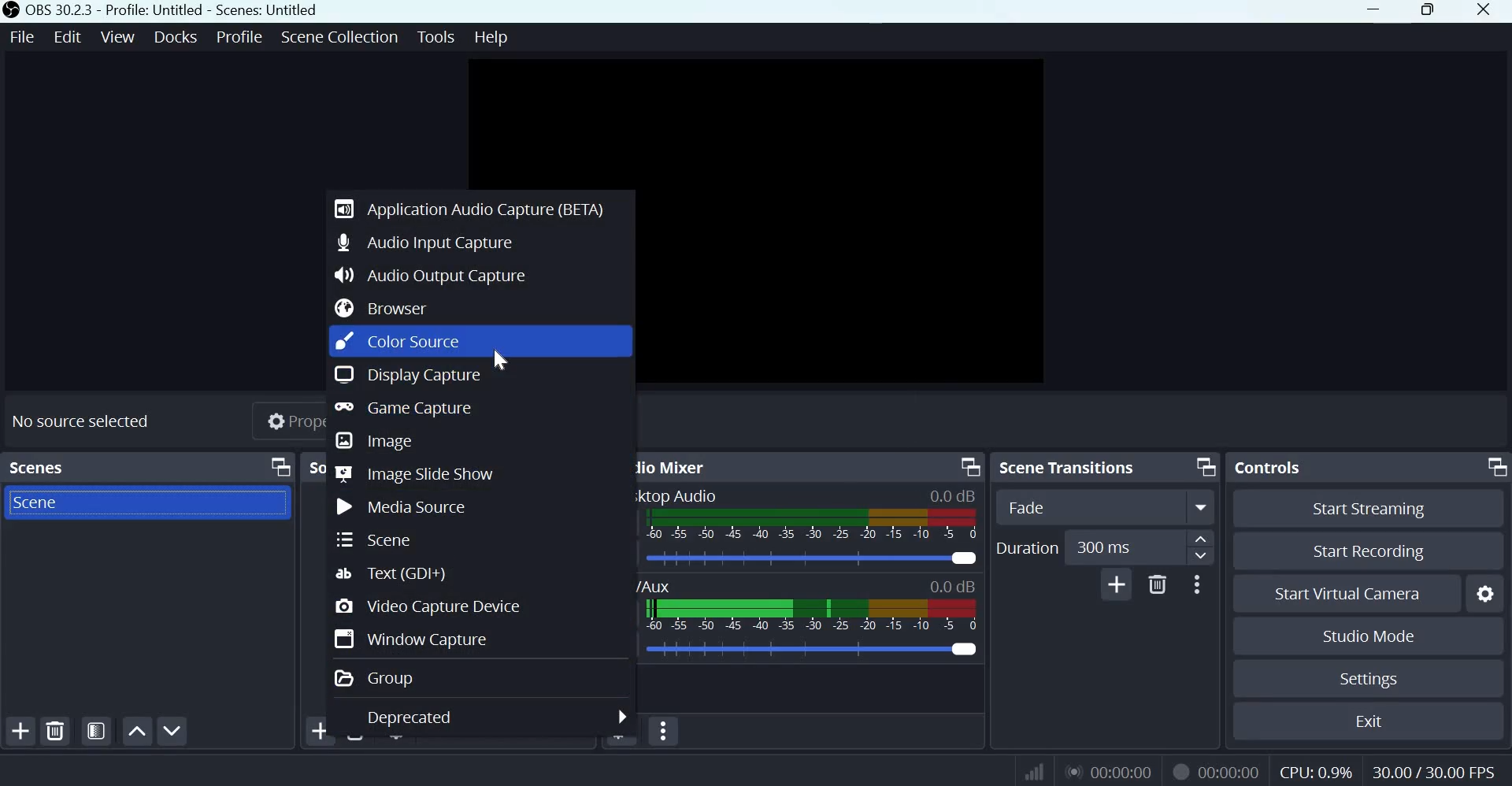  What do you see at coordinates (92, 420) in the screenshot?
I see `No source selected` at bounding box center [92, 420].